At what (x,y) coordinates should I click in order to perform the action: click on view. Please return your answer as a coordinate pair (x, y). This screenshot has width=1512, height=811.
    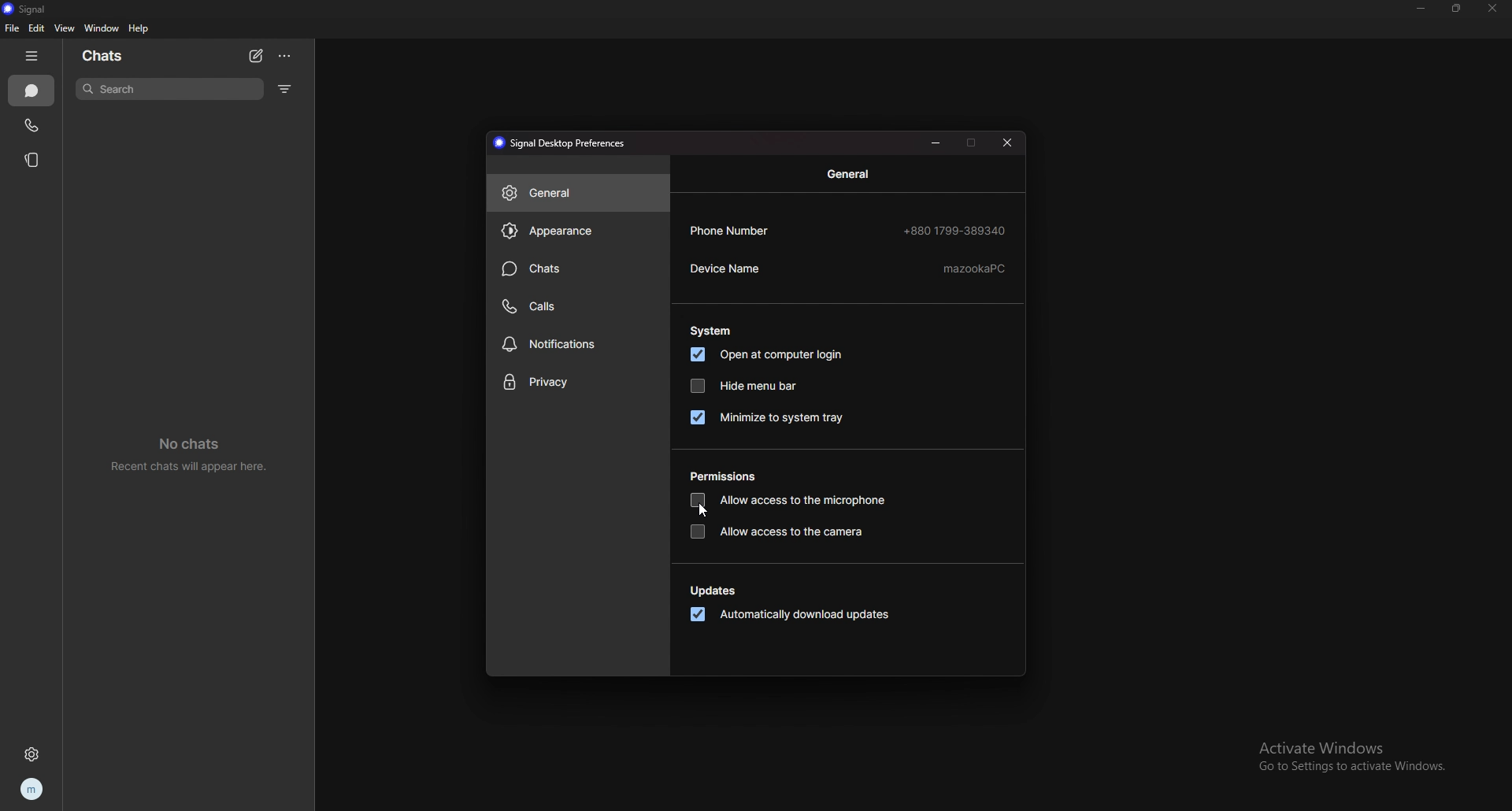
    Looking at the image, I should click on (64, 28).